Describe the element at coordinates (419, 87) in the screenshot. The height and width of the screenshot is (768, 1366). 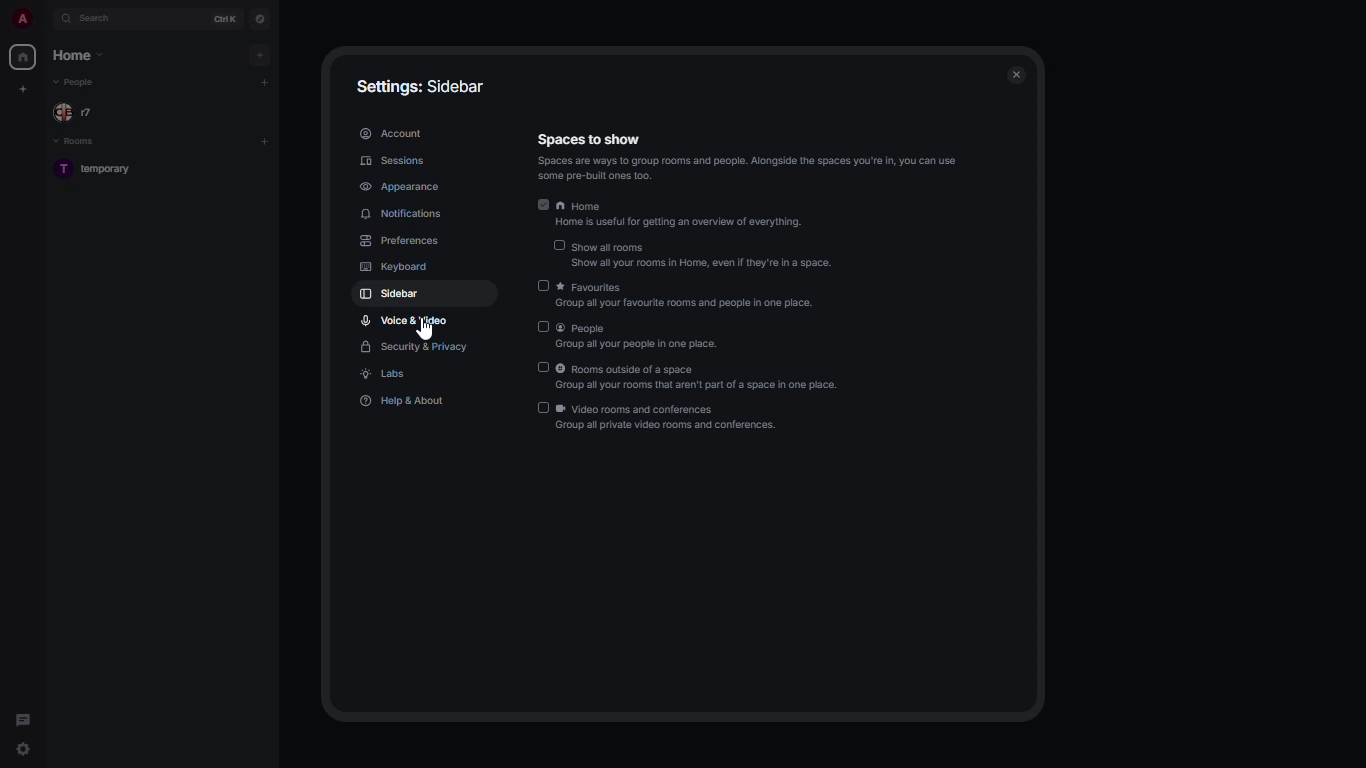
I see `settings: sidebar` at that location.